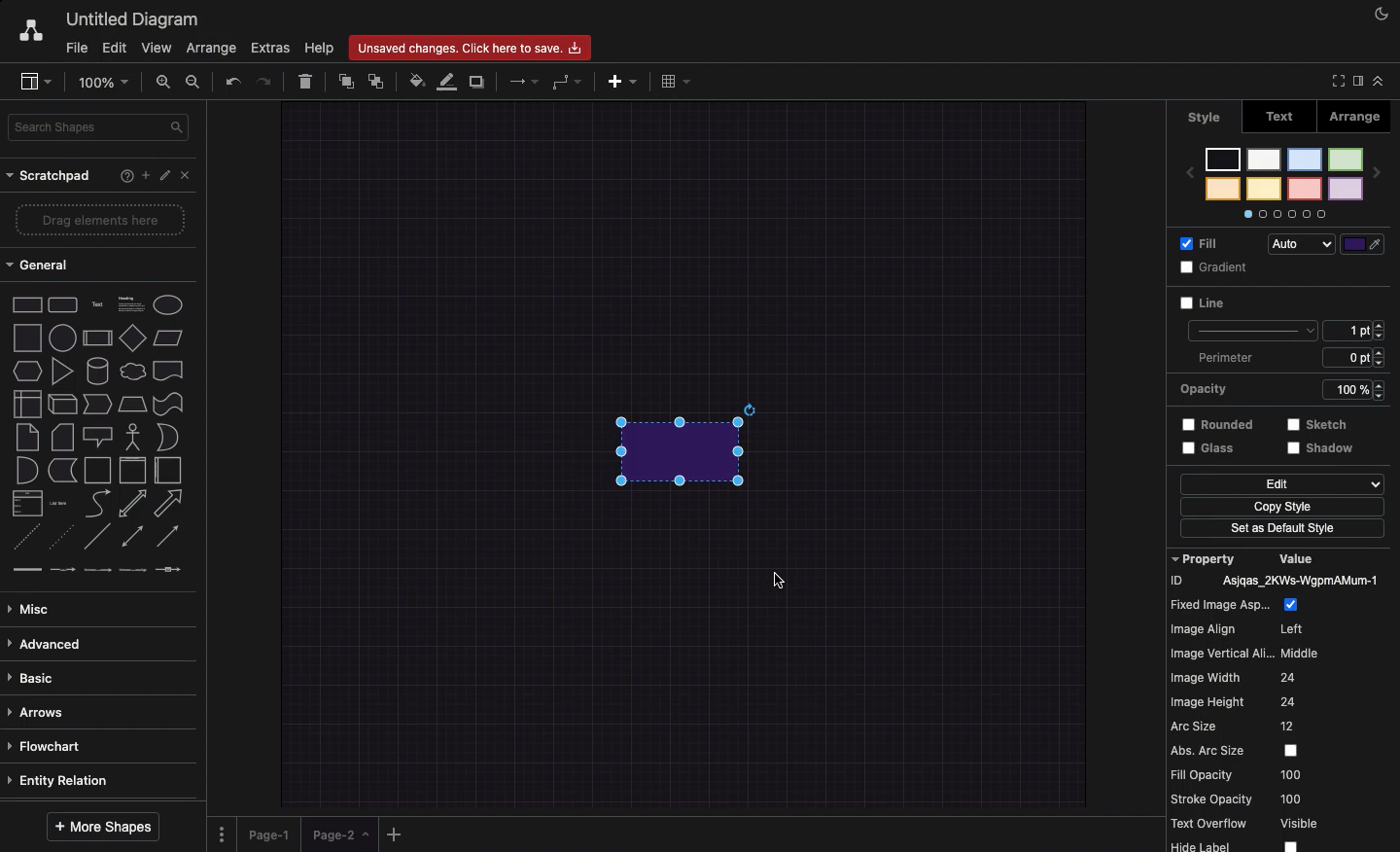 The width and height of the screenshot is (1400, 852). What do you see at coordinates (25, 336) in the screenshot?
I see `square` at bounding box center [25, 336].